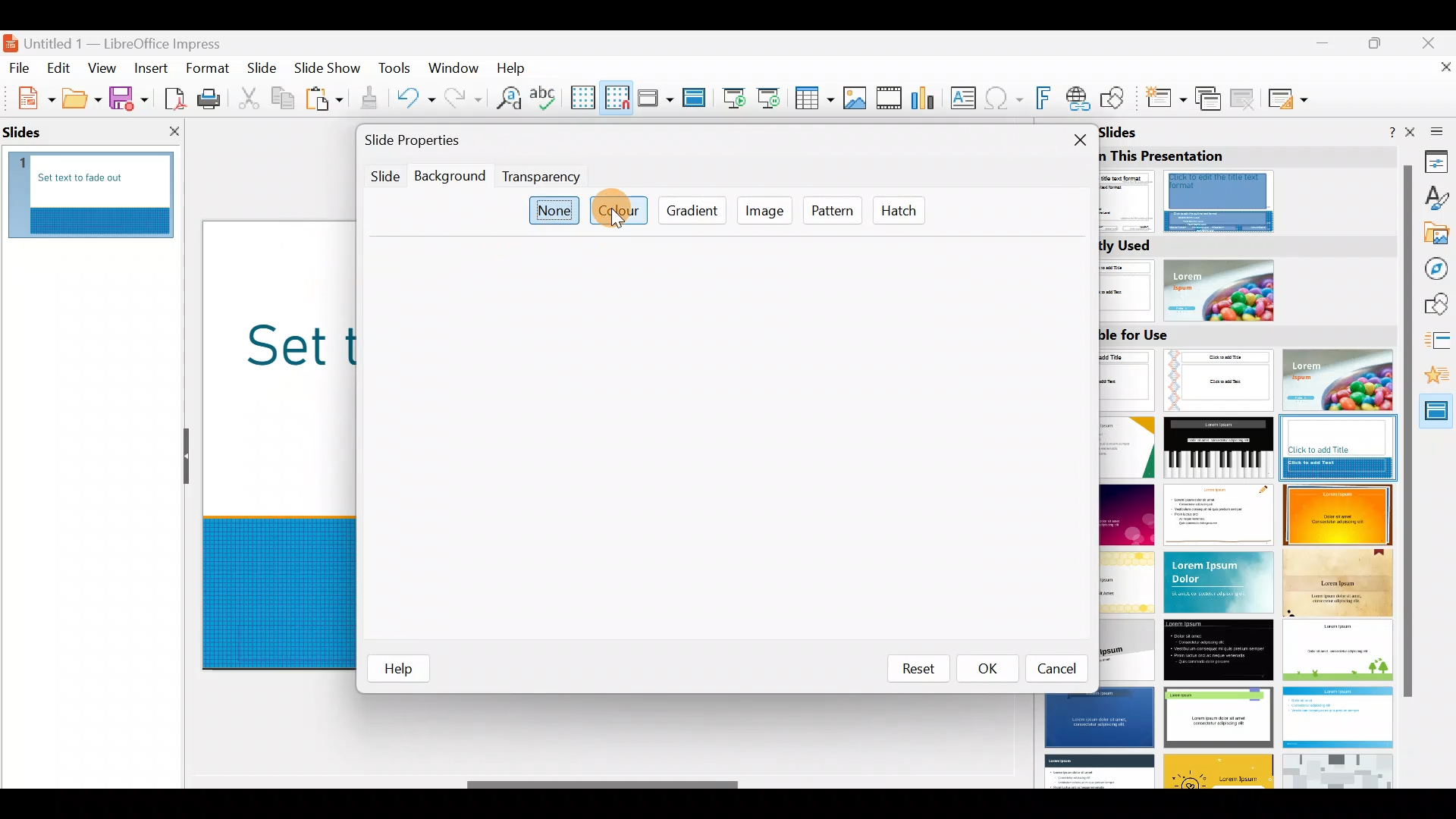 Image resolution: width=1456 pixels, height=819 pixels. Describe the element at coordinates (1320, 50) in the screenshot. I see `Minimise` at that location.